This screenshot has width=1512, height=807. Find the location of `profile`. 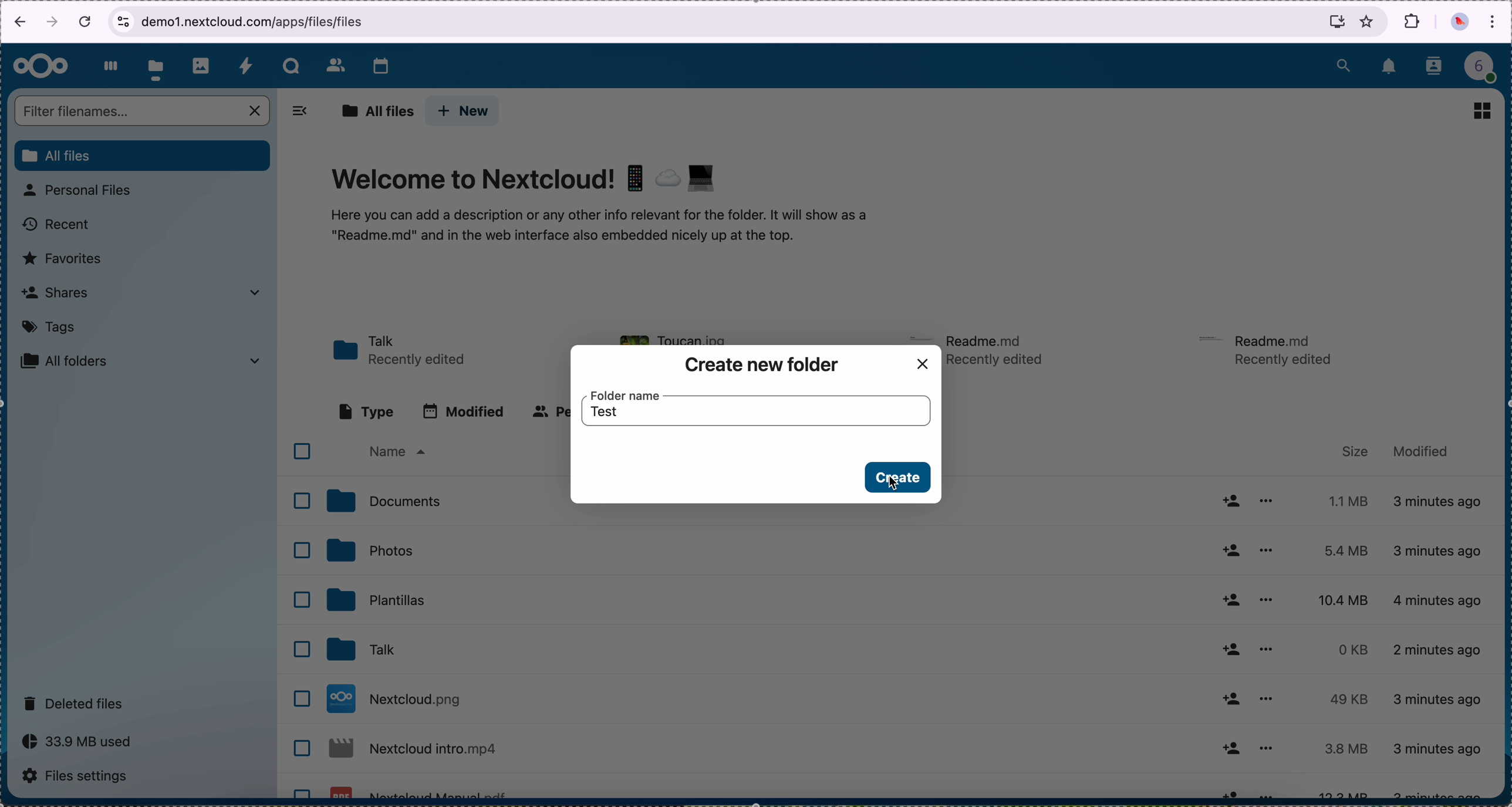

profile is located at coordinates (1487, 70).